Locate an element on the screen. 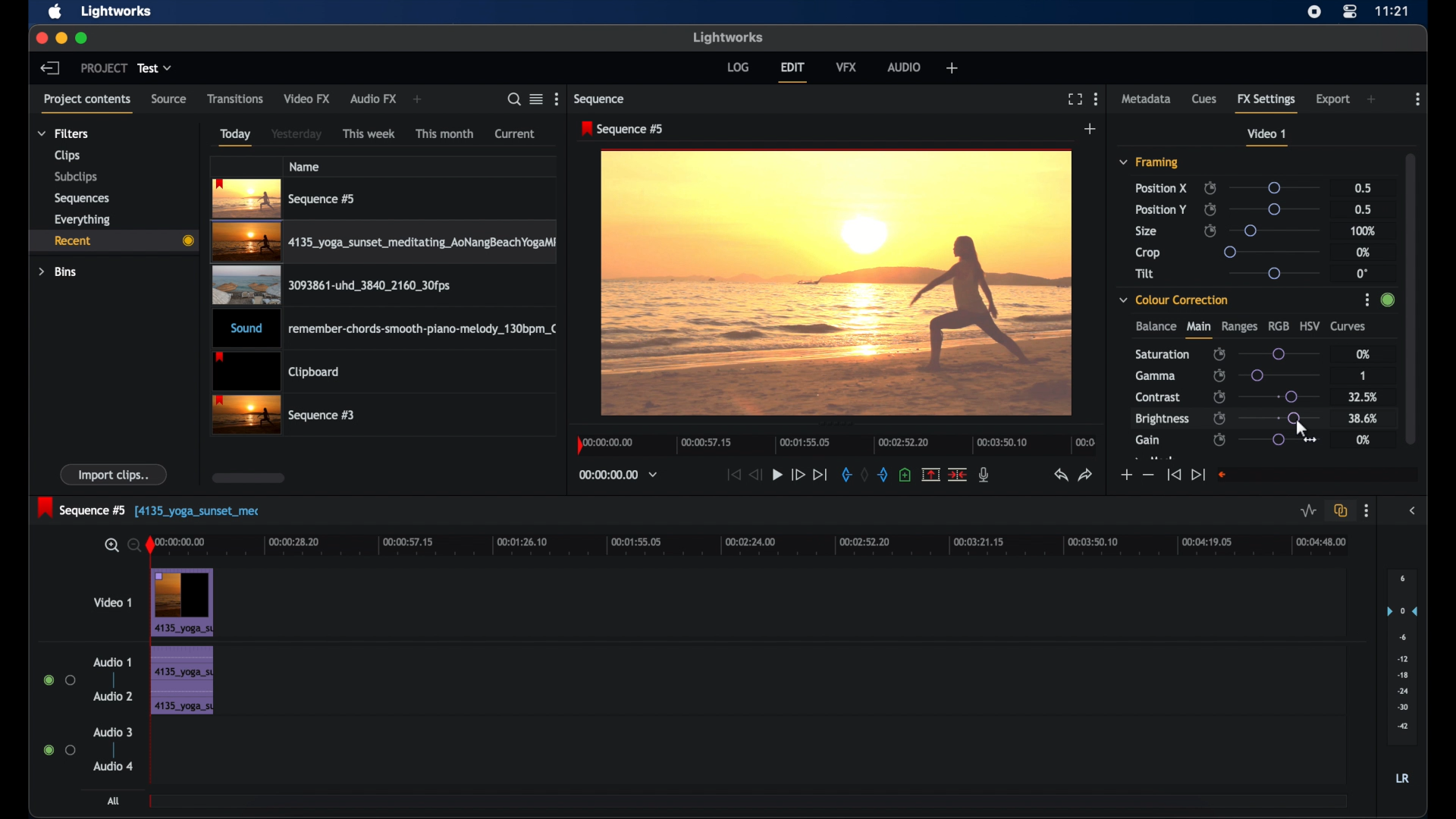  clips is located at coordinates (67, 156).